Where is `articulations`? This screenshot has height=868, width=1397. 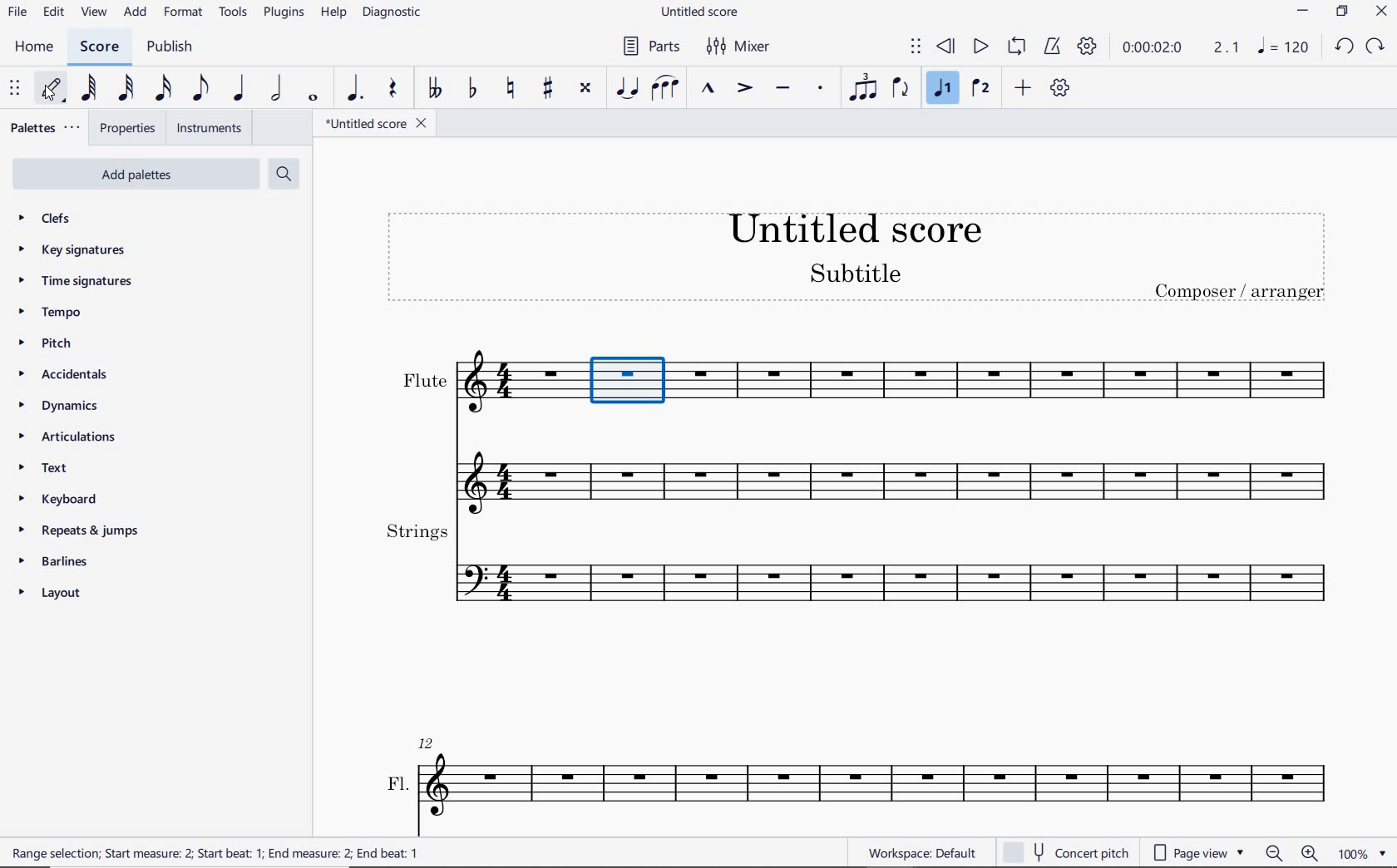 articulations is located at coordinates (70, 438).